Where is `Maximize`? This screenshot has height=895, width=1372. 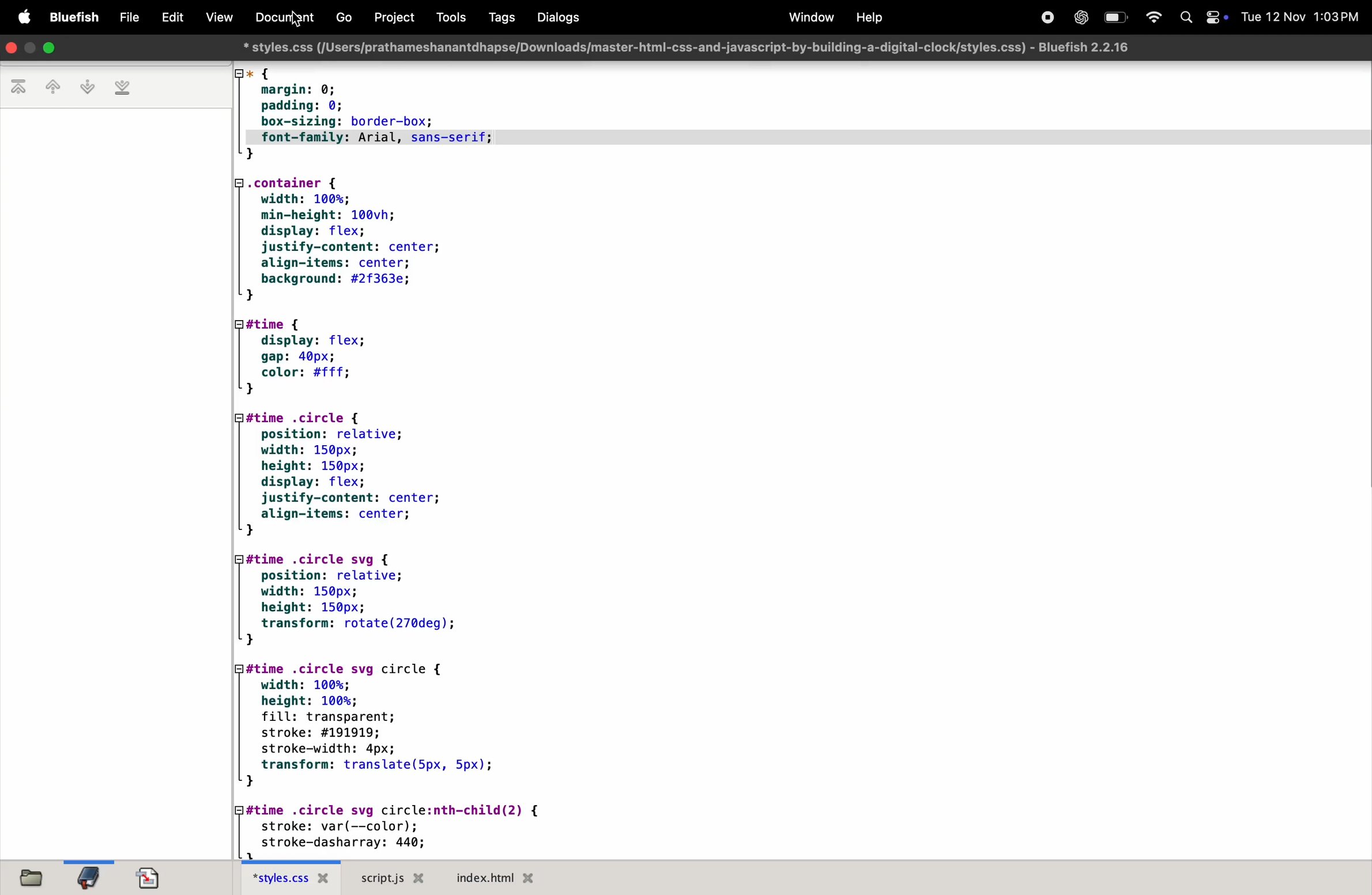
Maximize is located at coordinates (52, 48).